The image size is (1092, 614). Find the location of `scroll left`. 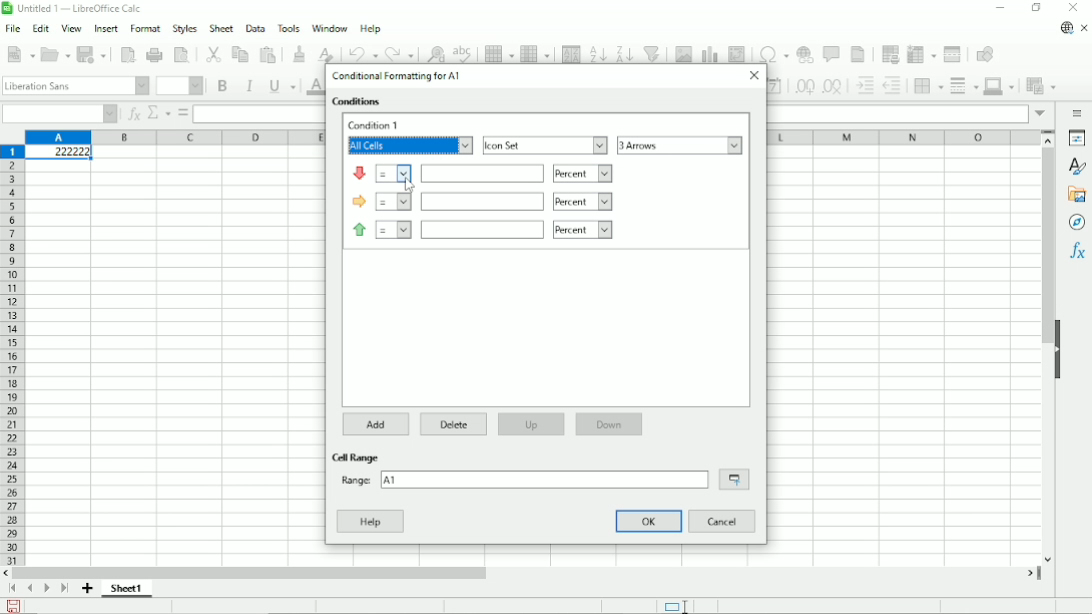

scroll left is located at coordinates (8, 573).